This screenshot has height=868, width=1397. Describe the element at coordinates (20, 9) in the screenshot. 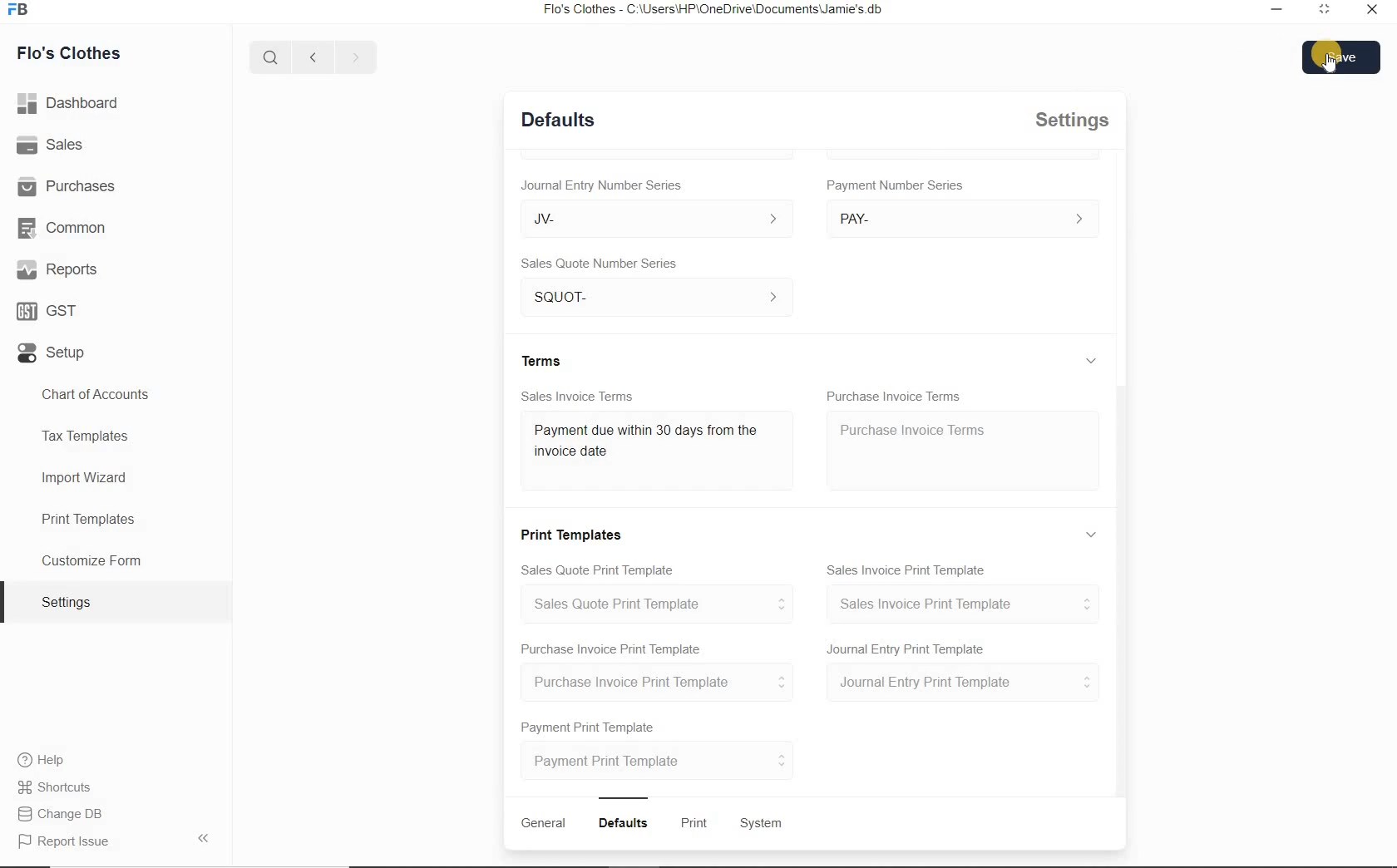

I see `Logo` at that location.